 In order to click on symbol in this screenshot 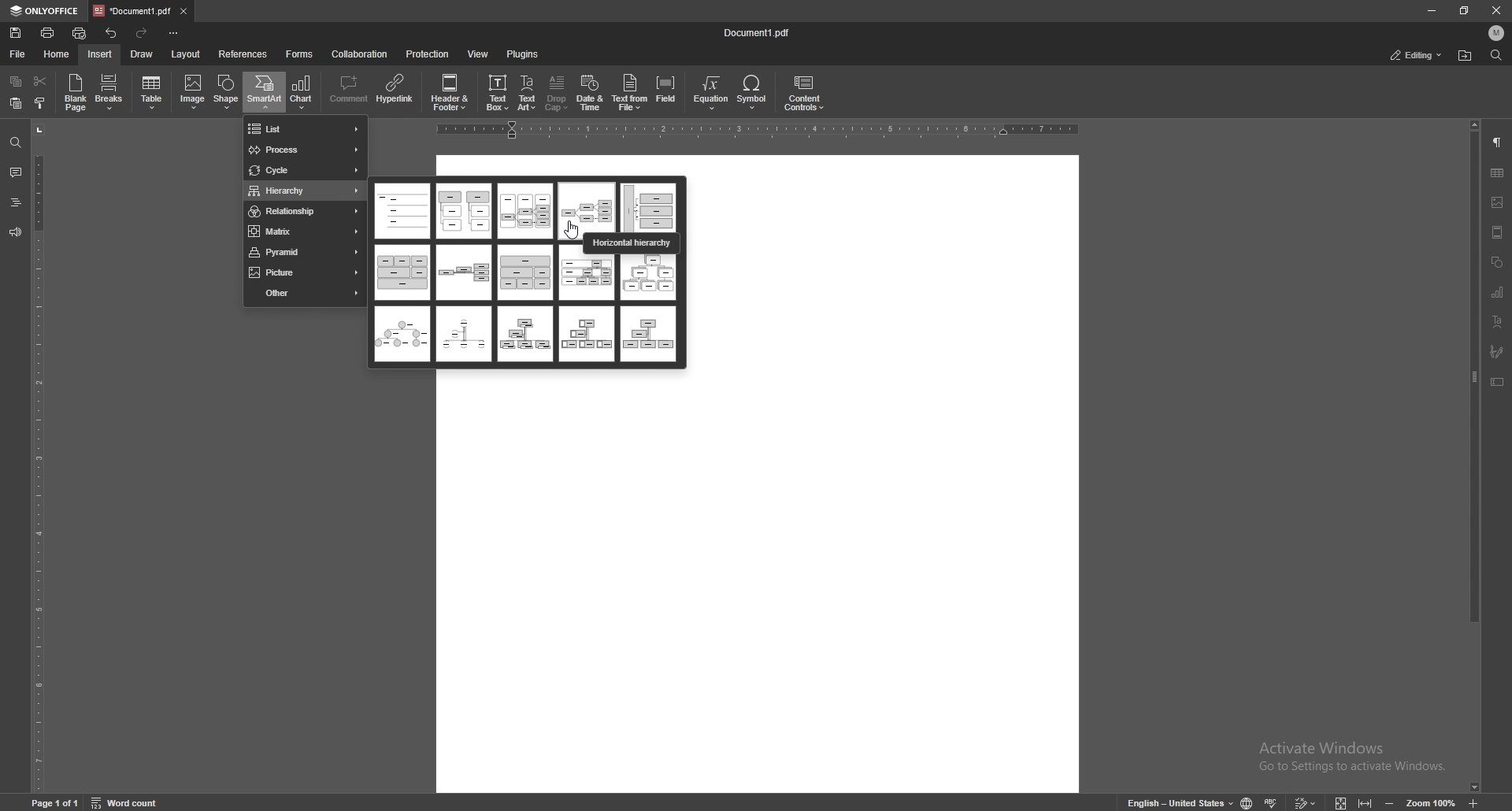, I will do `click(754, 92)`.